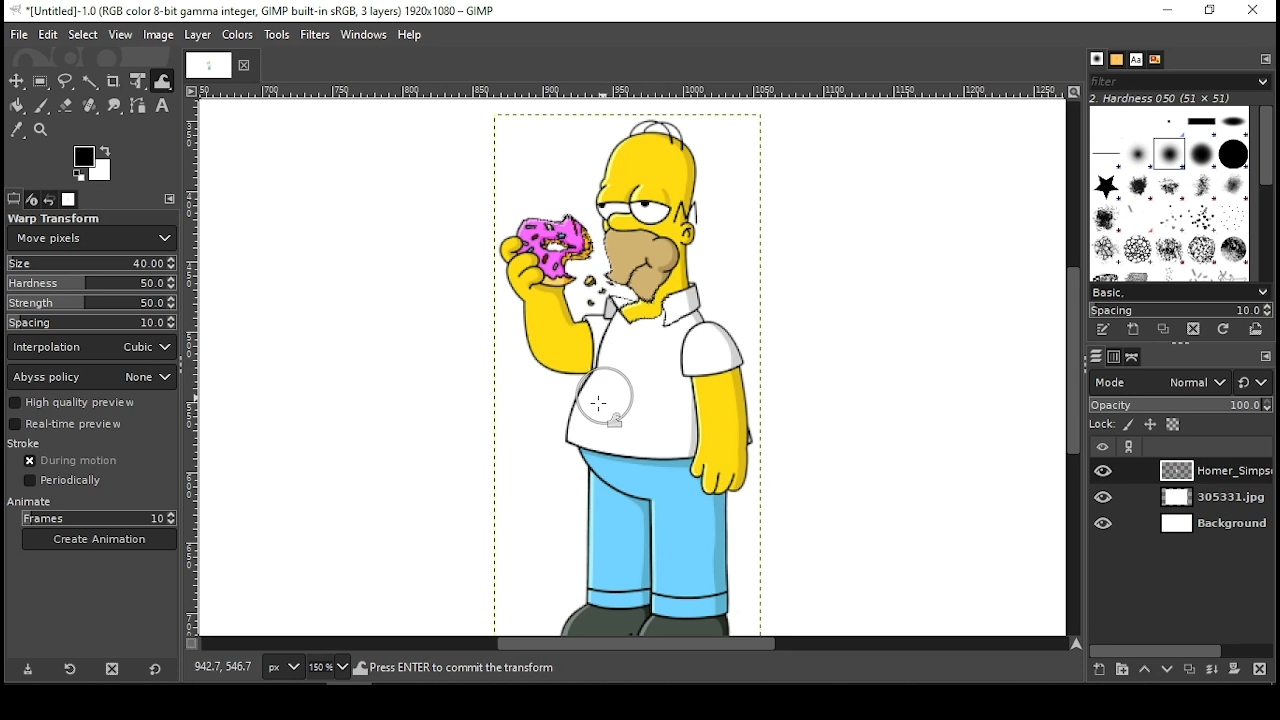 This screenshot has height=720, width=1280. Describe the element at coordinates (1262, 356) in the screenshot. I see `edit toolbar` at that location.